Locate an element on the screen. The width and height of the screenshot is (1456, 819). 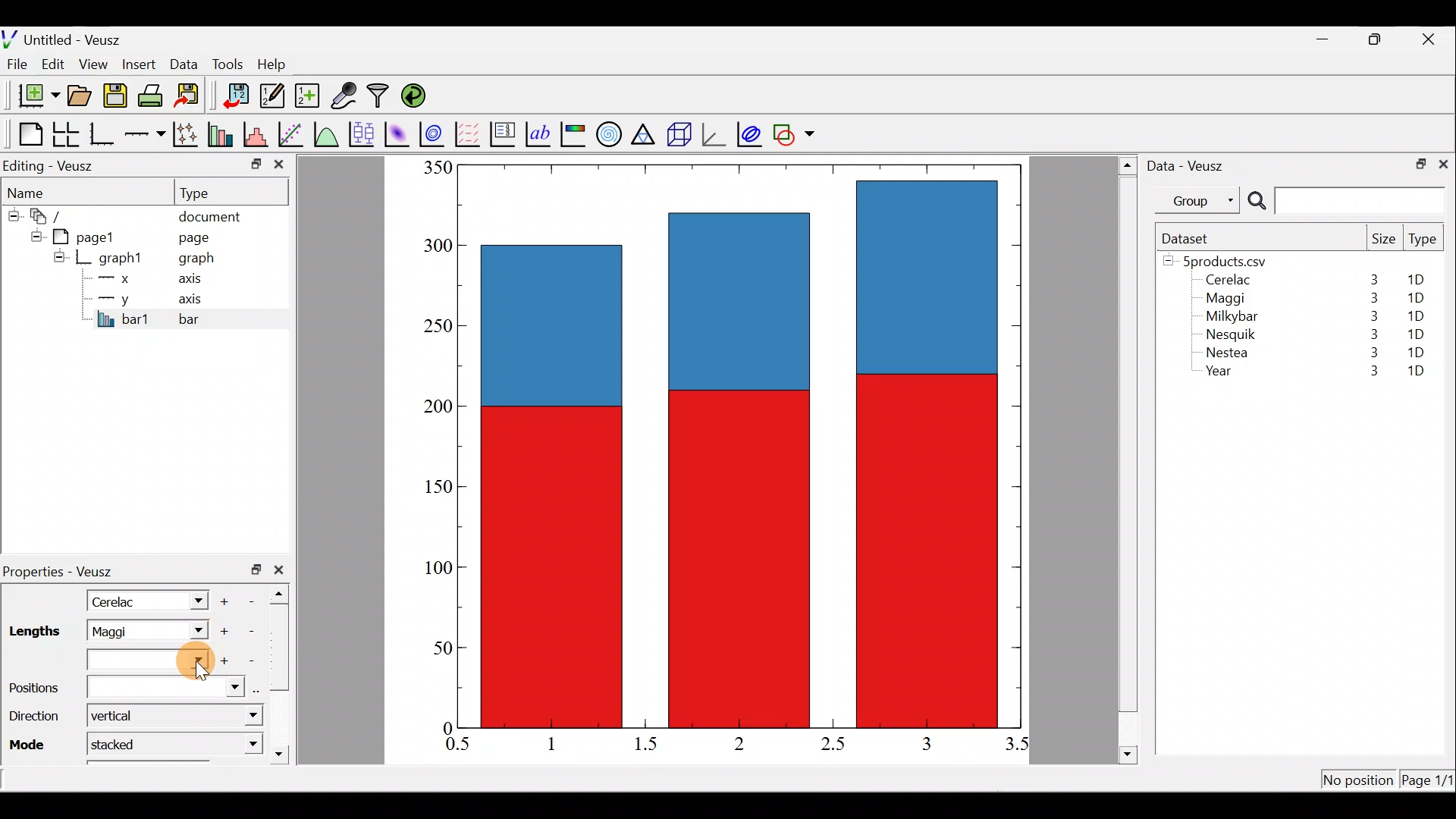
bar1 is located at coordinates (124, 318).